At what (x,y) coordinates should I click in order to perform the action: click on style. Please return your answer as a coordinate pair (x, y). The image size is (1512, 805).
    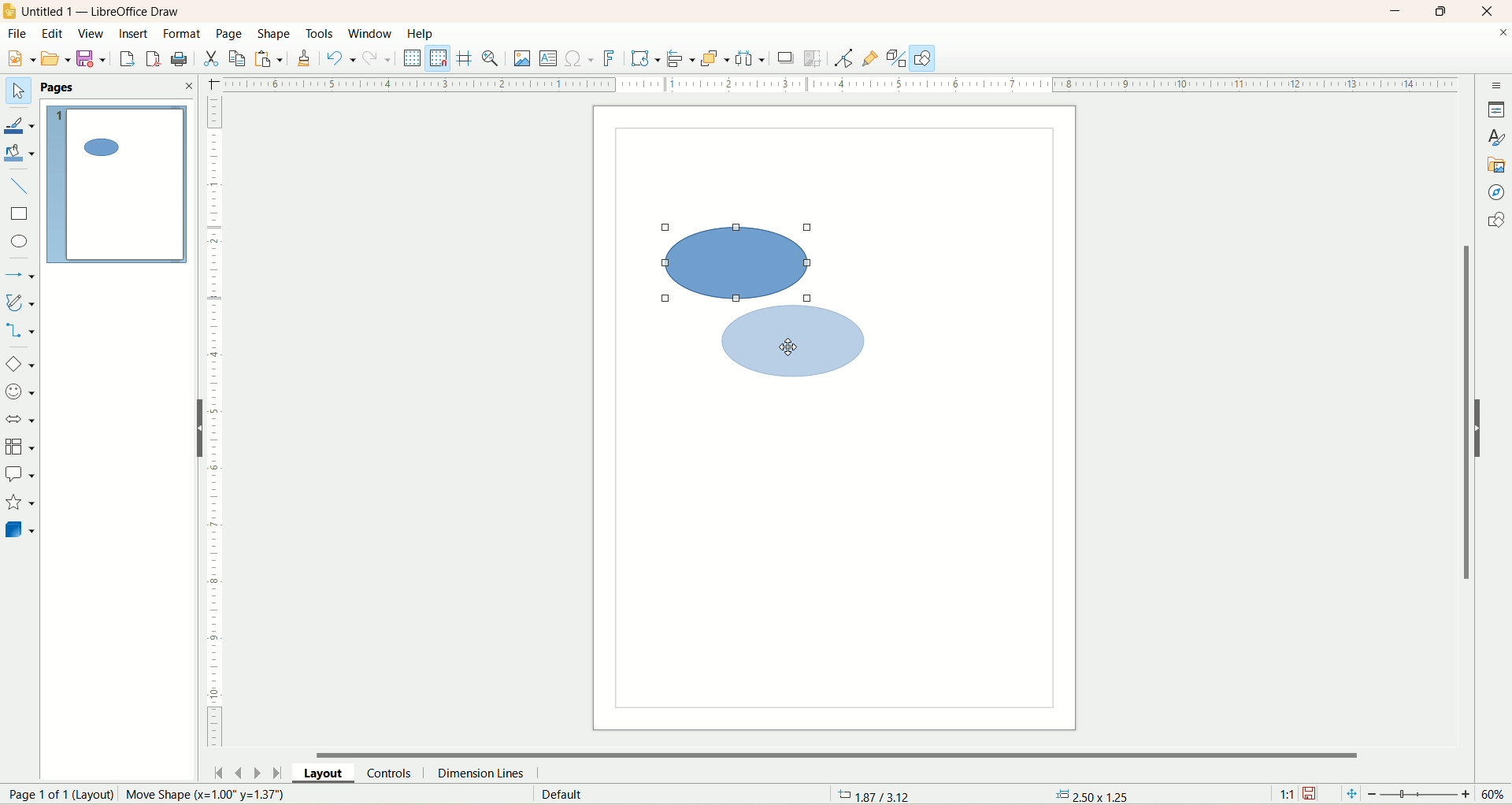
    Looking at the image, I should click on (1496, 135).